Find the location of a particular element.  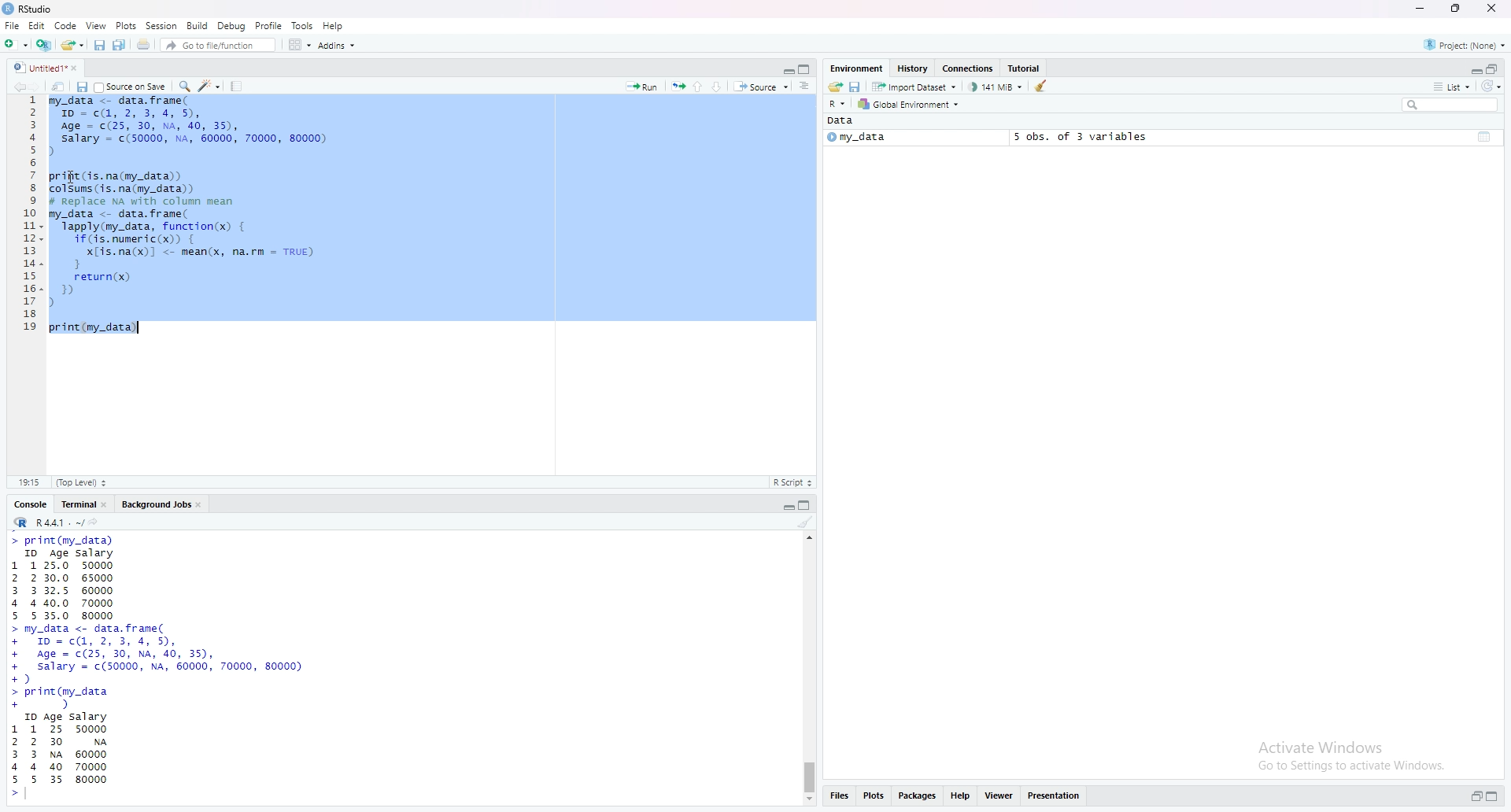

untitled1 is located at coordinates (45, 67).